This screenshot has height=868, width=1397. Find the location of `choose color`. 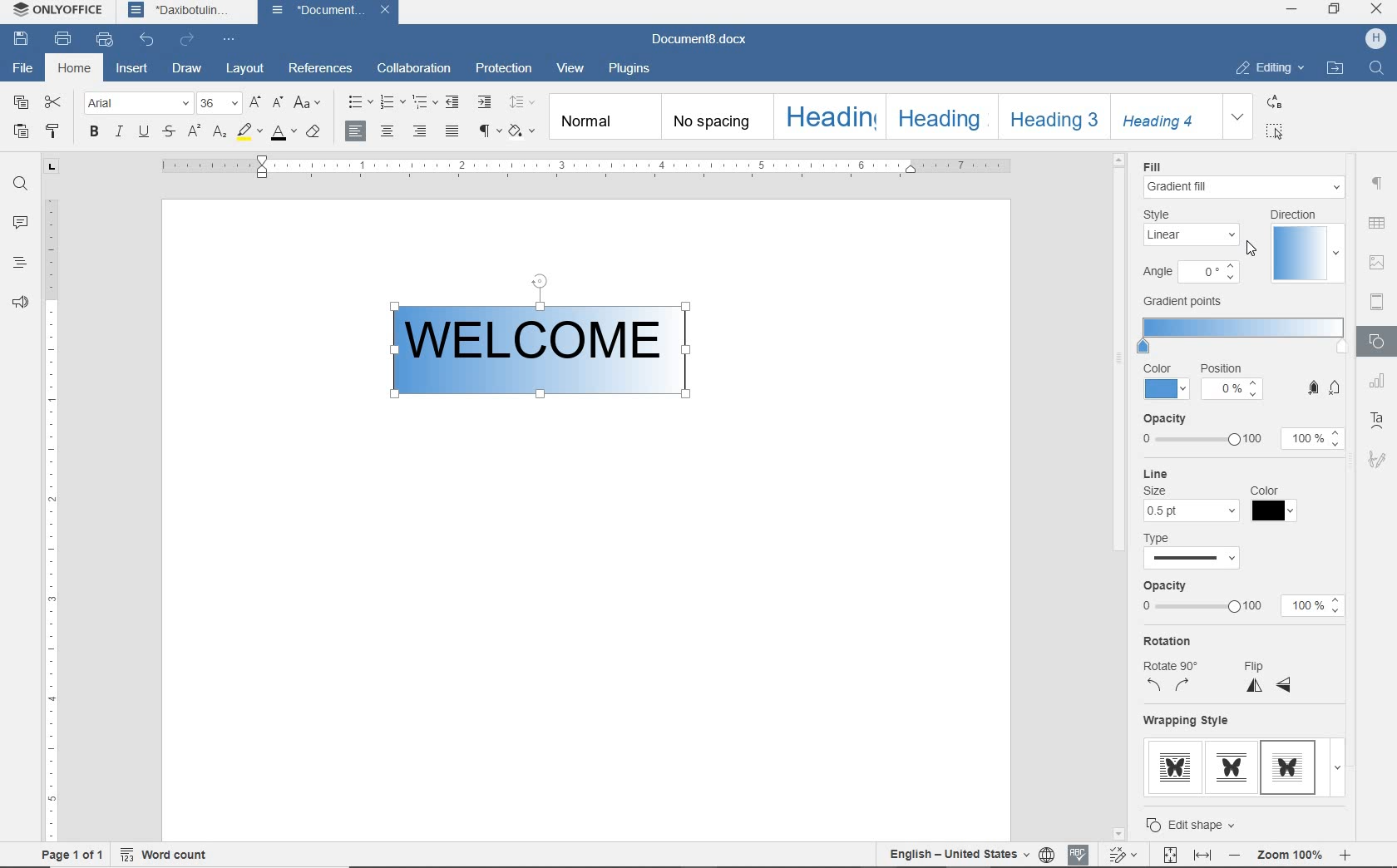

choose color is located at coordinates (1274, 511).